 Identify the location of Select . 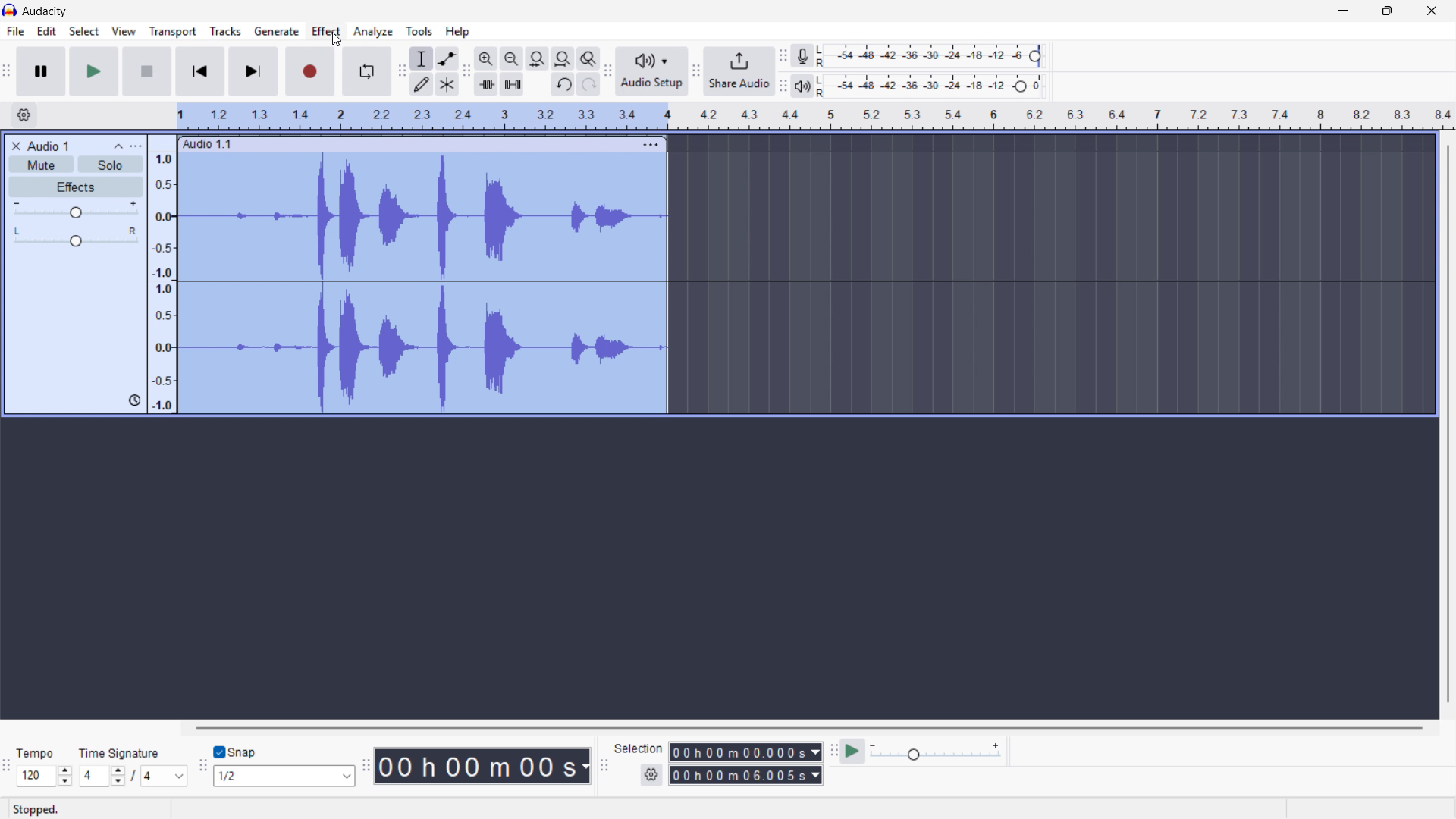
(83, 32).